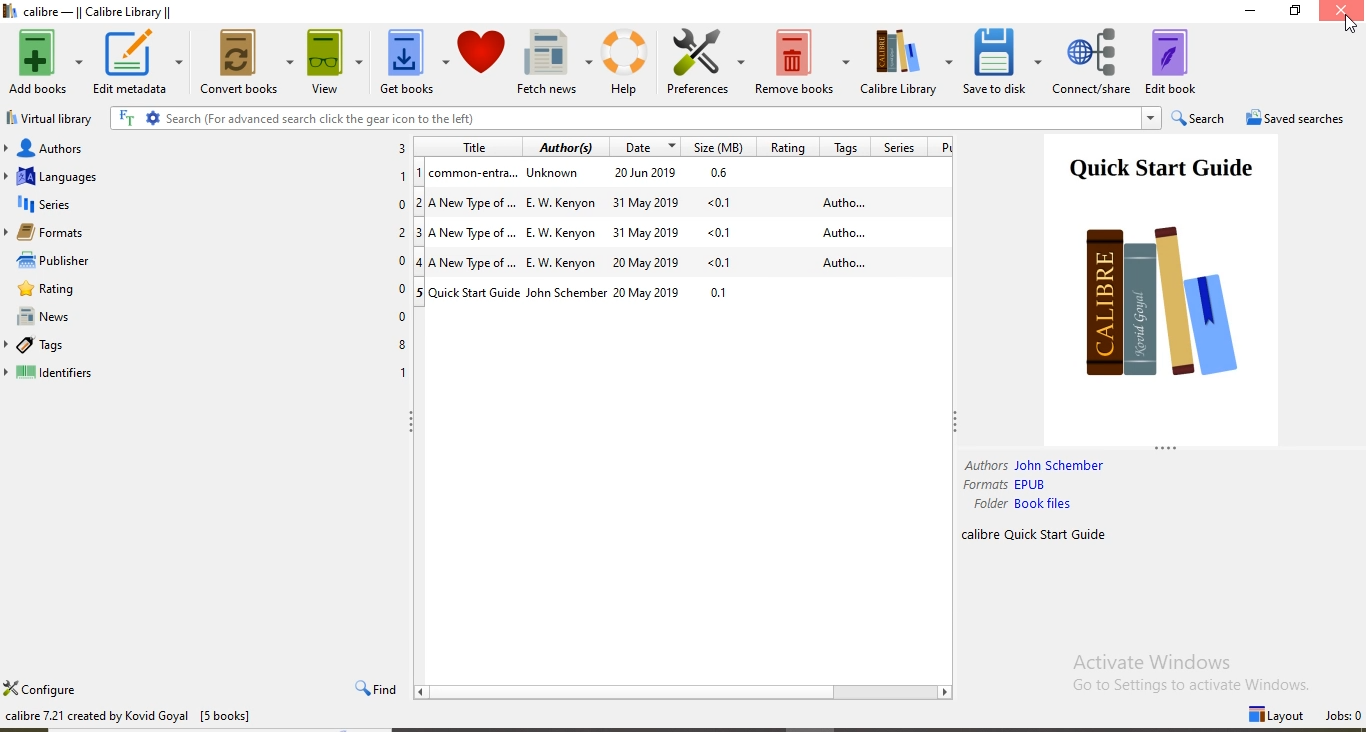  Describe the element at coordinates (841, 263) in the screenshot. I see `Autho...` at that location.